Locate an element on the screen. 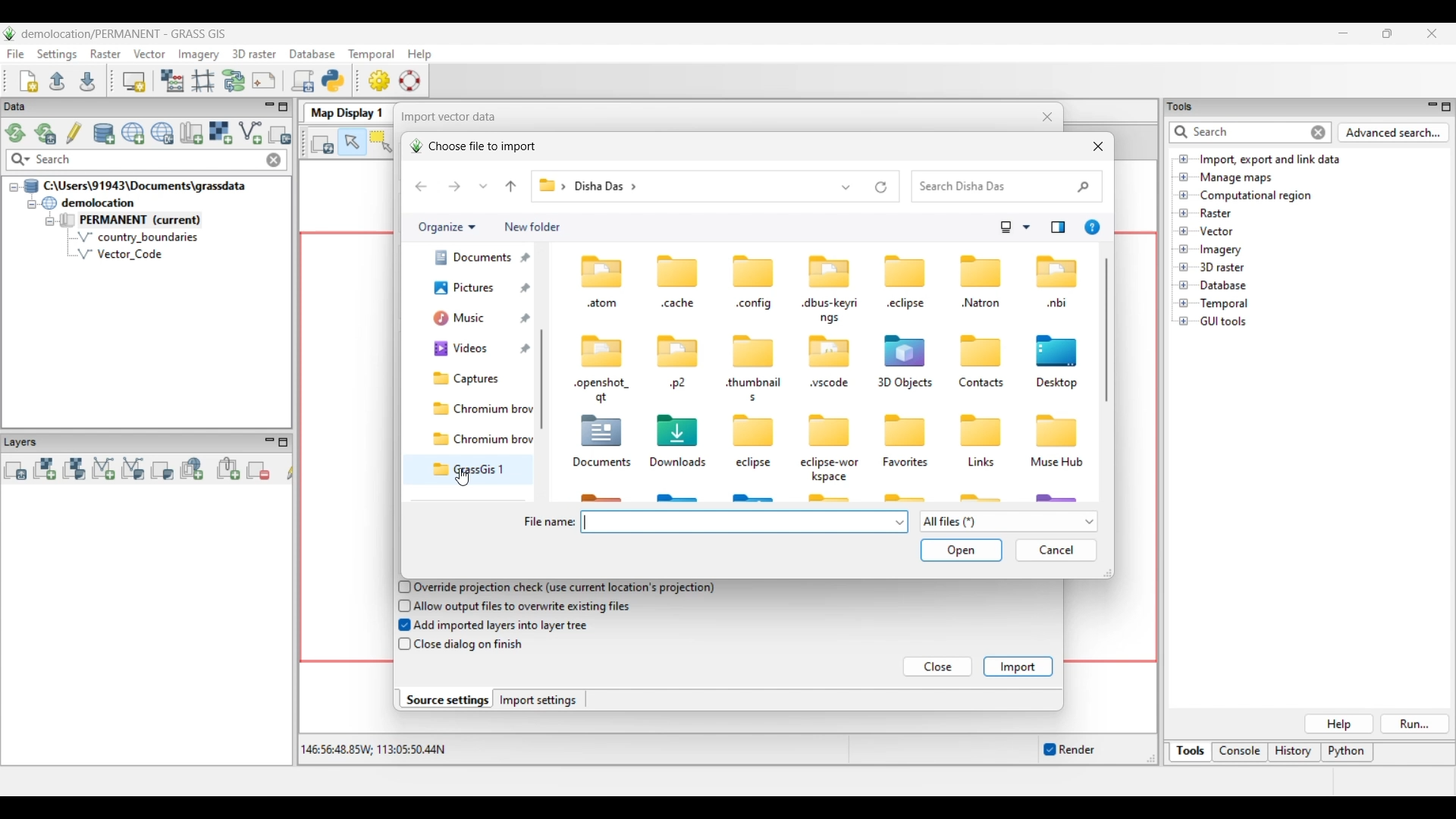 The image size is (1456, 819). Click to open Temporal is located at coordinates (1184, 303).